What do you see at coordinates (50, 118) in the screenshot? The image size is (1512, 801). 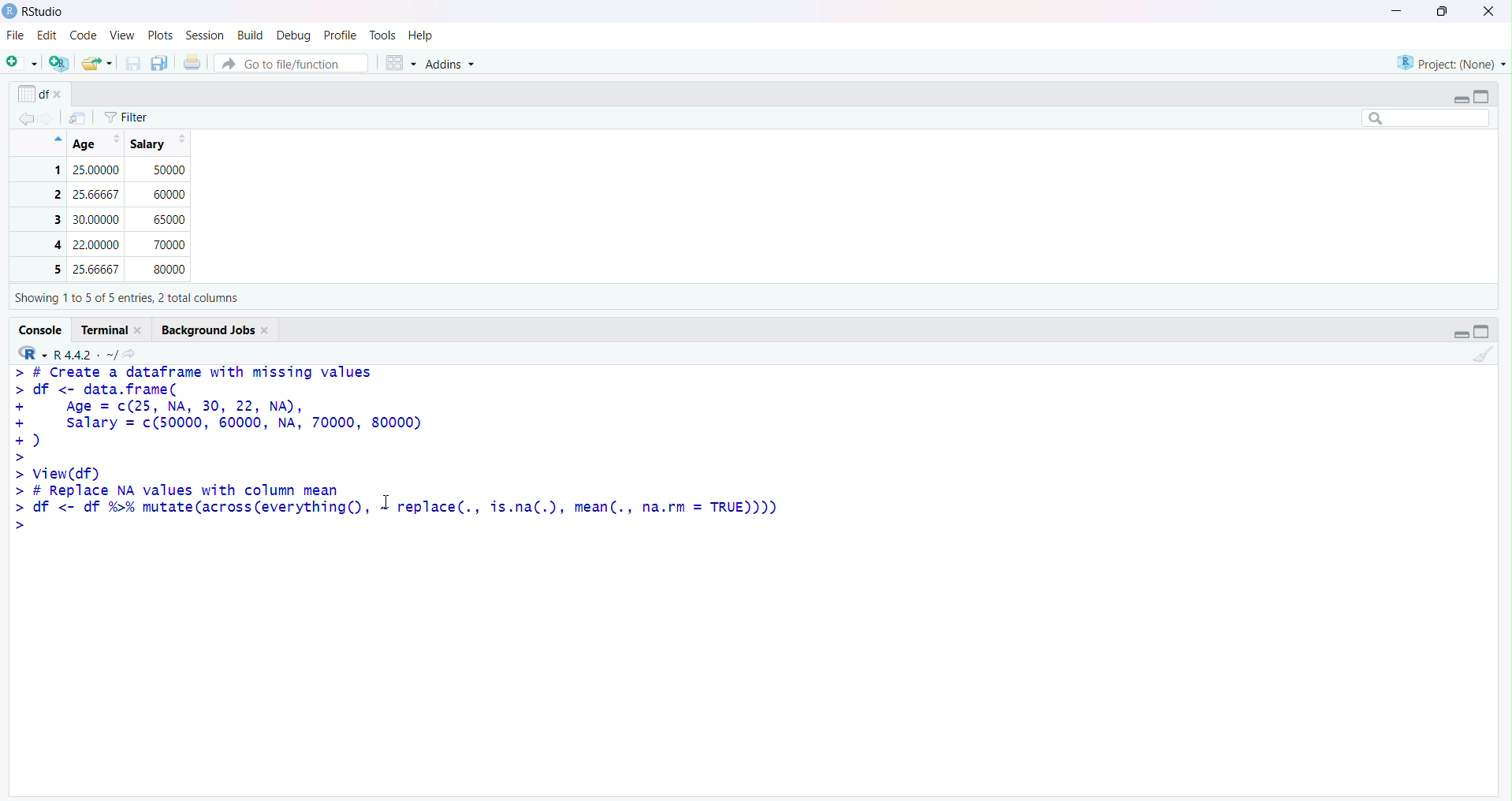 I see `Go forward to the next source location (Ctrl + F10)` at bounding box center [50, 118].